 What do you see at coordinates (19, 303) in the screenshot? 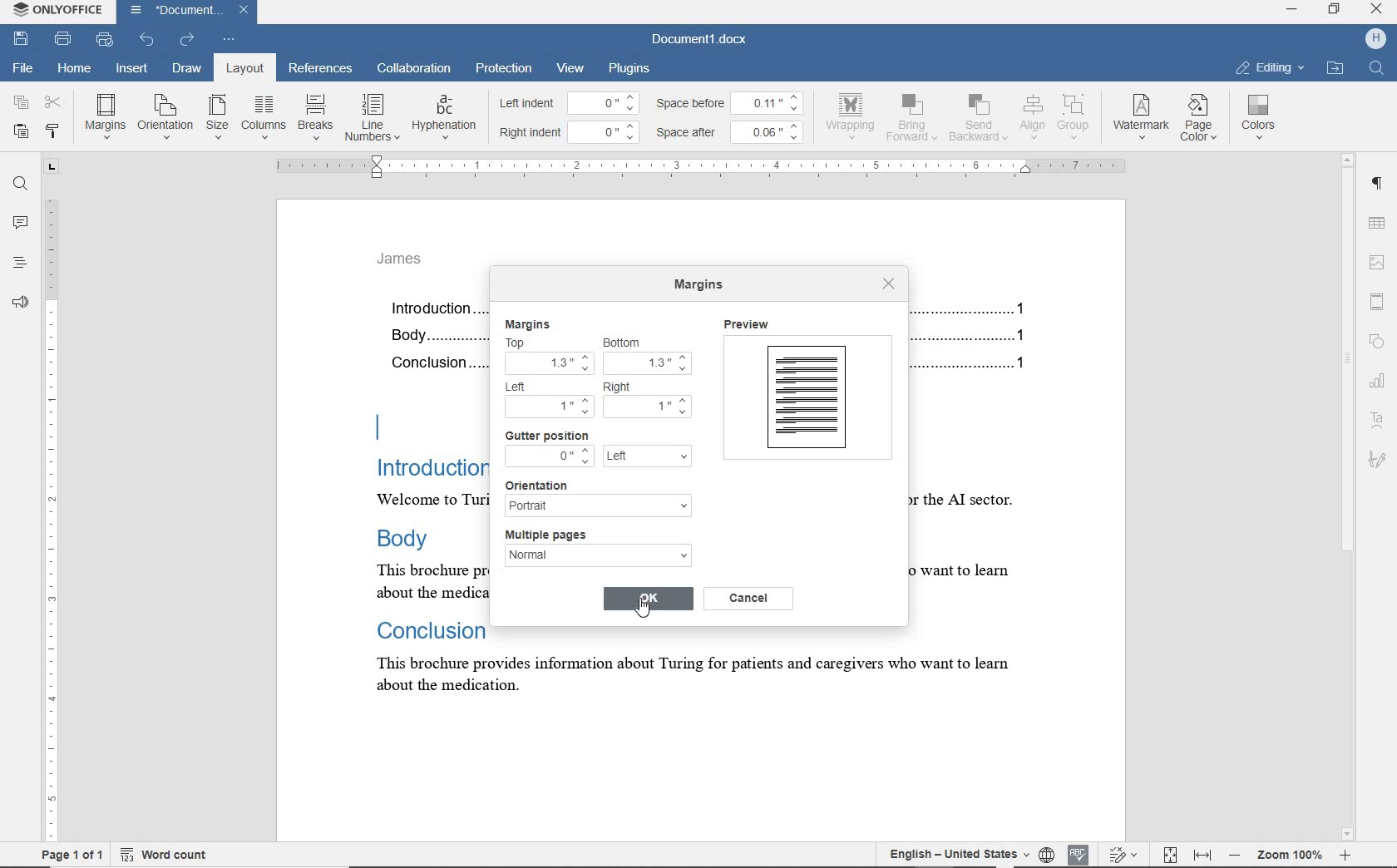
I see `feedback & support` at bounding box center [19, 303].